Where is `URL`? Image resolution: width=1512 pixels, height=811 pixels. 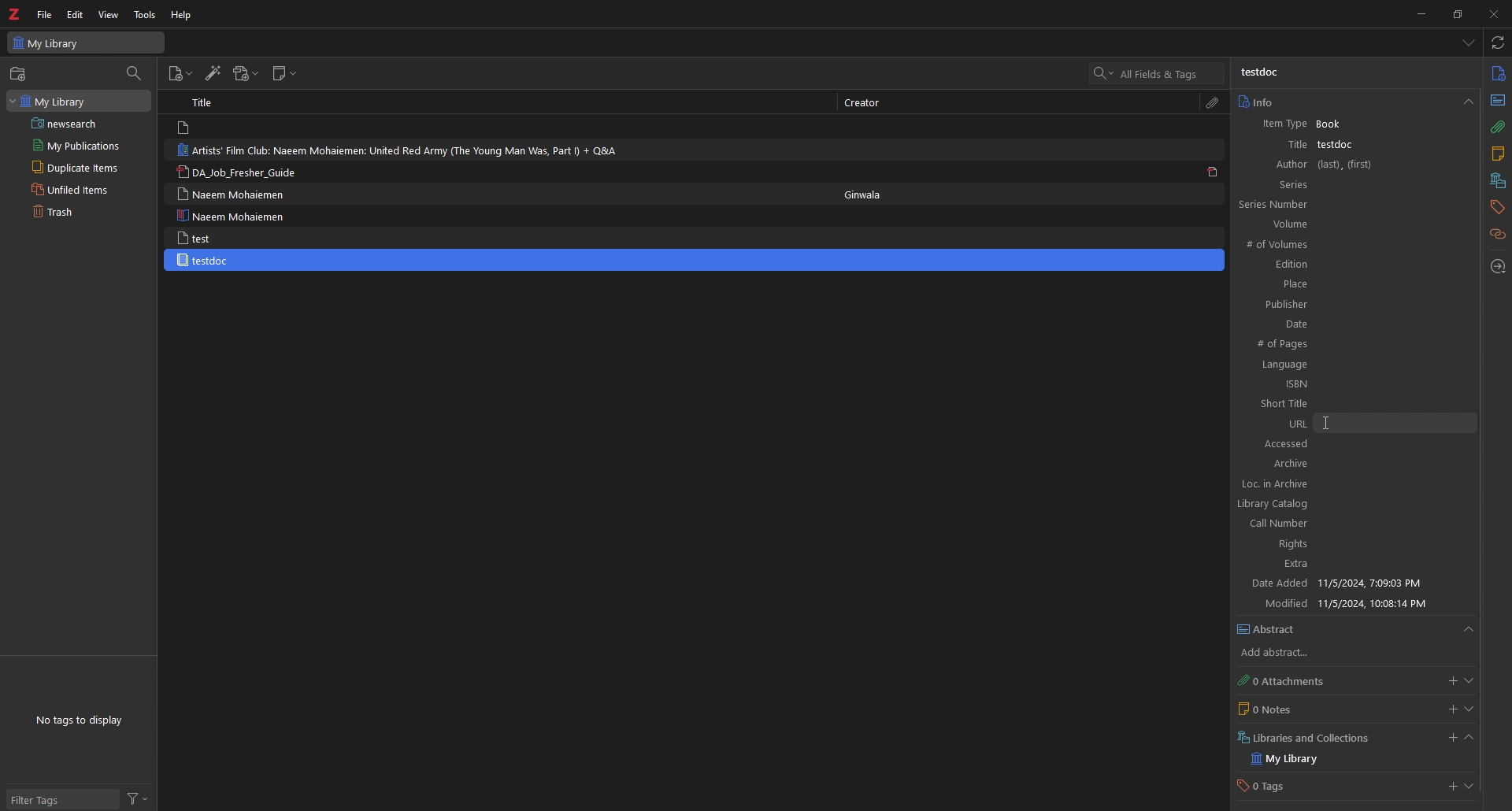 URL is located at coordinates (1293, 423).